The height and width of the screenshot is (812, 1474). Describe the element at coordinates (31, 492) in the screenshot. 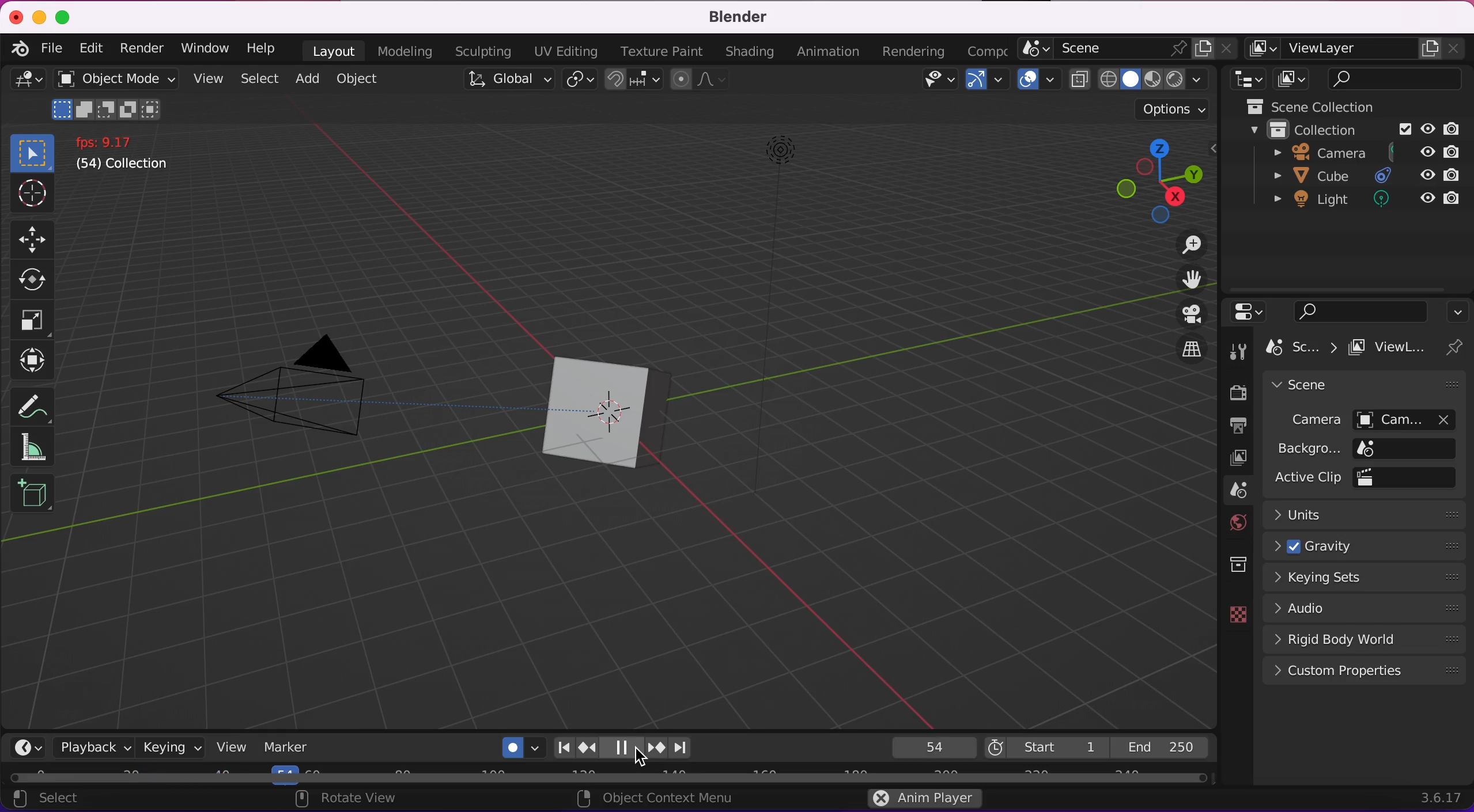

I see `add cube` at that location.